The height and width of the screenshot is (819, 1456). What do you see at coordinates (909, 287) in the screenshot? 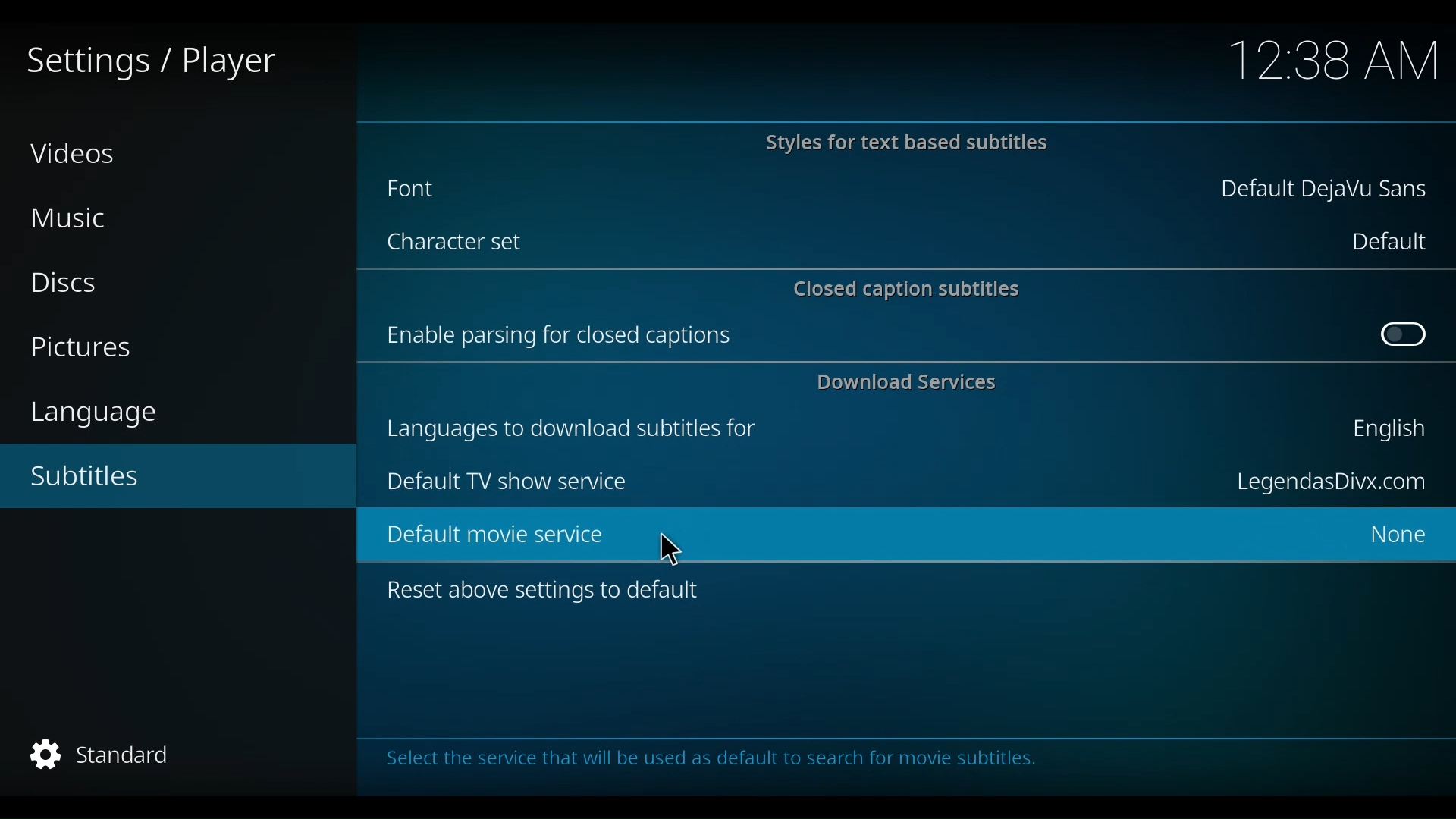
I see `Closed caption subtitles` at bounding box center [909, 287].